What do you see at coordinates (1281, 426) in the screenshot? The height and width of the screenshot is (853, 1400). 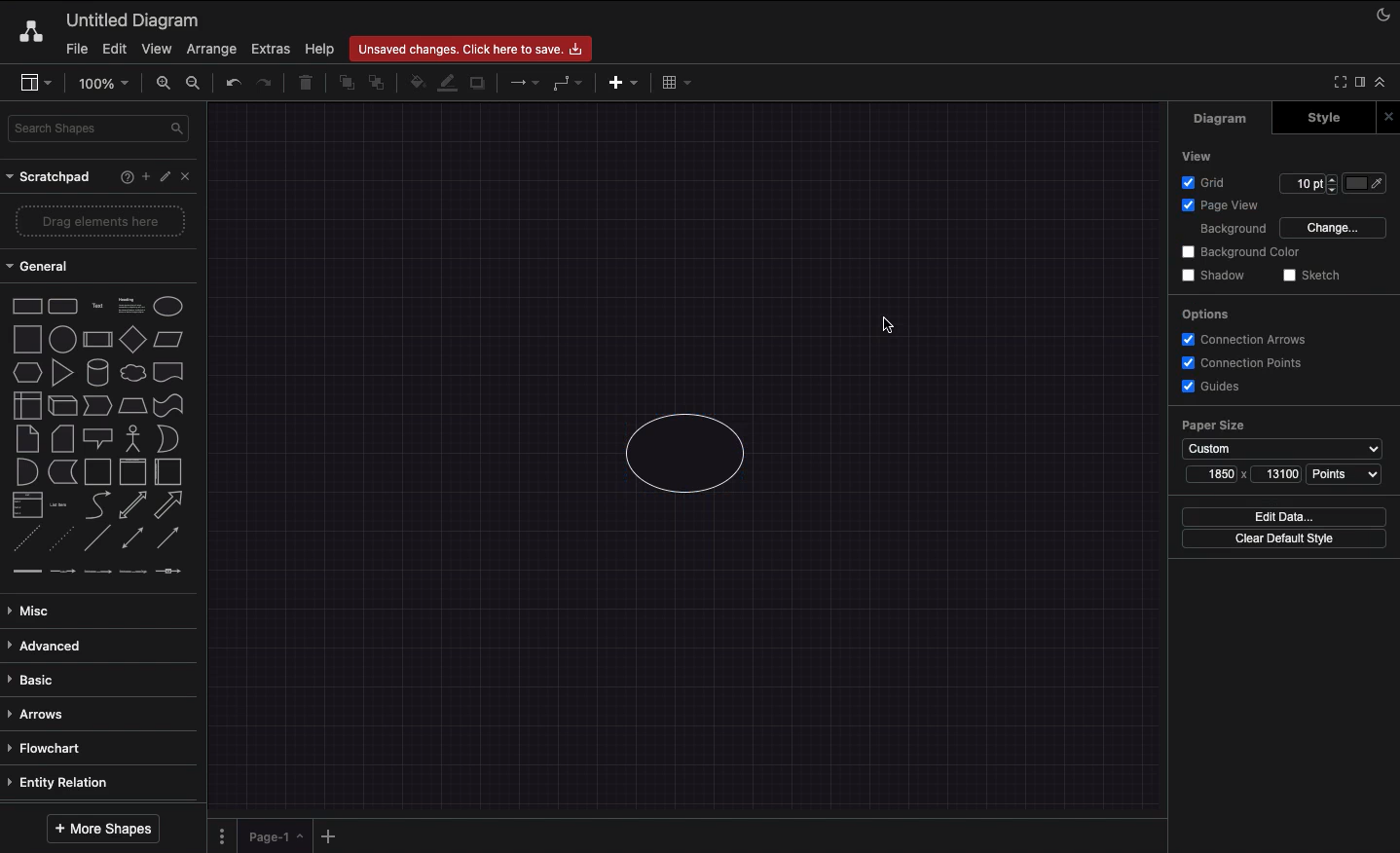 I see `Paper size` at bounding box center [1281, 426].